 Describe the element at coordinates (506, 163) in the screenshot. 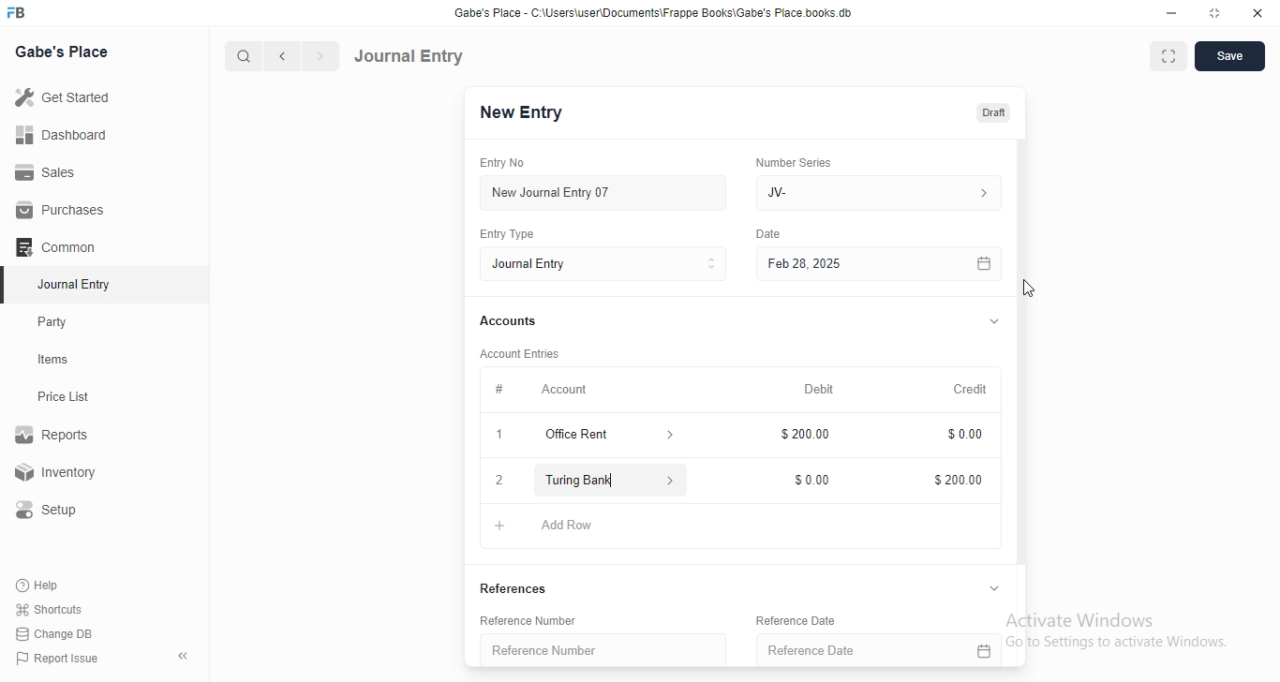

I see `Entry No` at that location.